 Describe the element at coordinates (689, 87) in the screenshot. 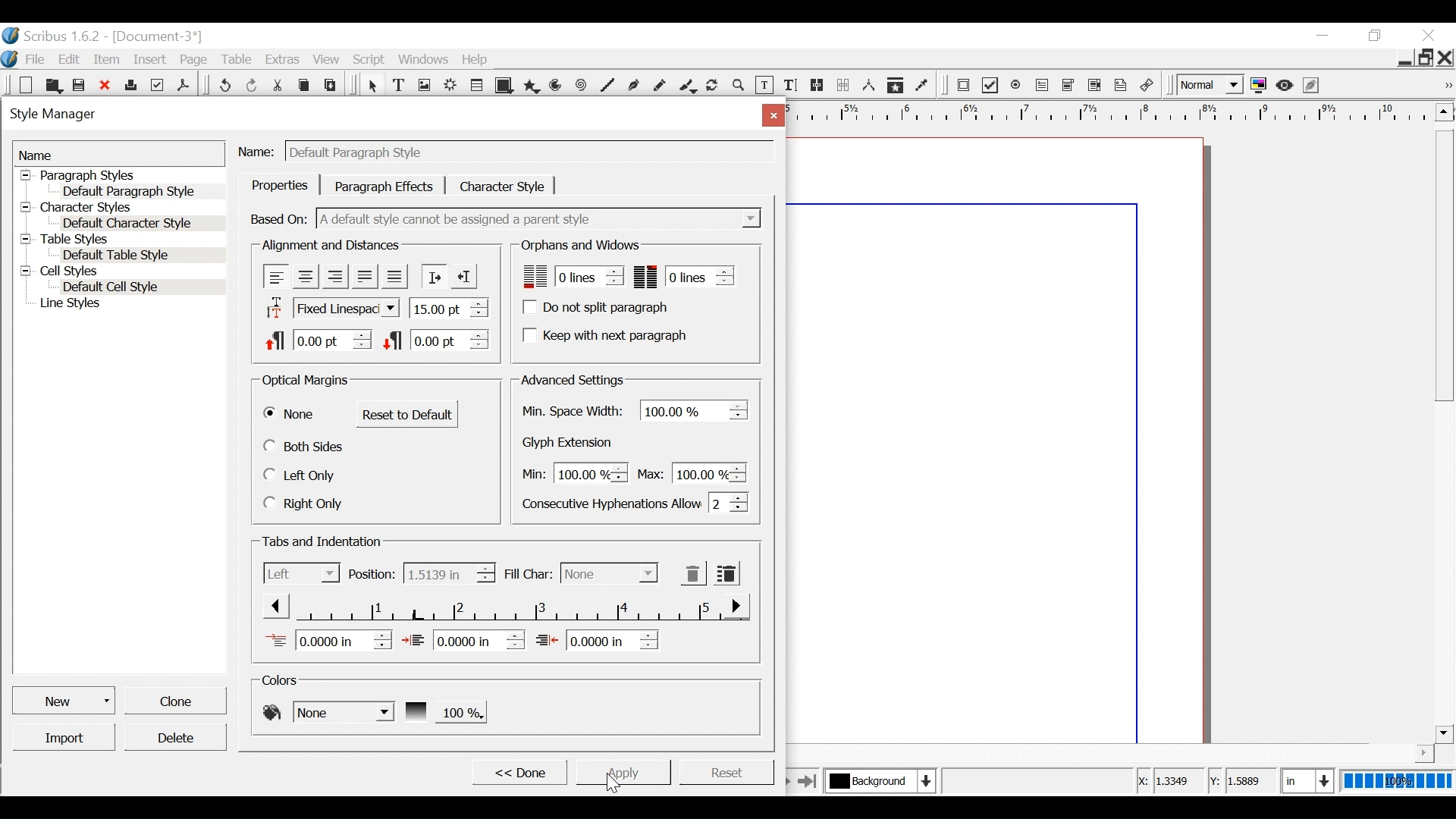

I see `Caligraphic line` at that location.